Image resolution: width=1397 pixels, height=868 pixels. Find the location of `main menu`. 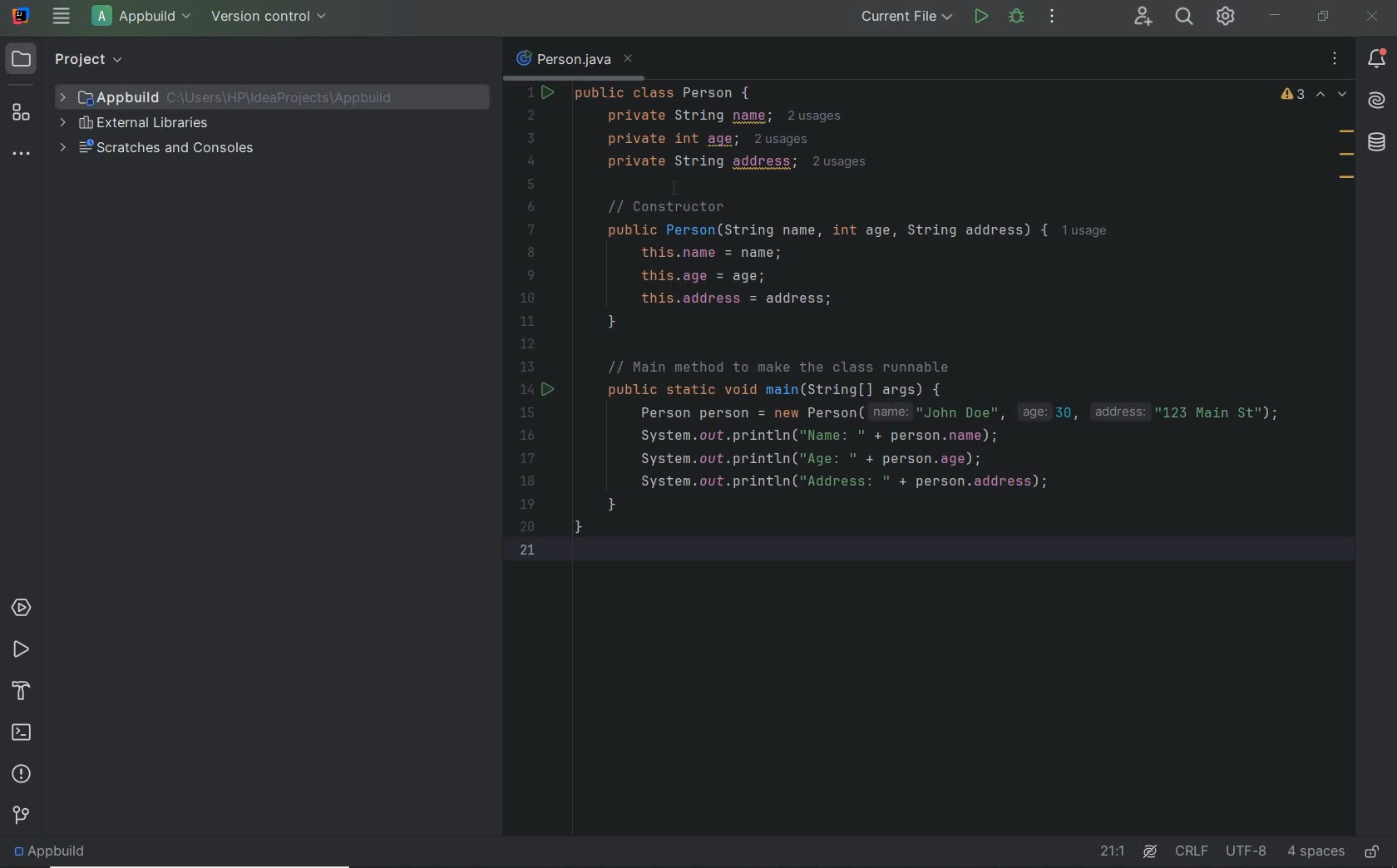

main menu is located at coordinates (60, 17).